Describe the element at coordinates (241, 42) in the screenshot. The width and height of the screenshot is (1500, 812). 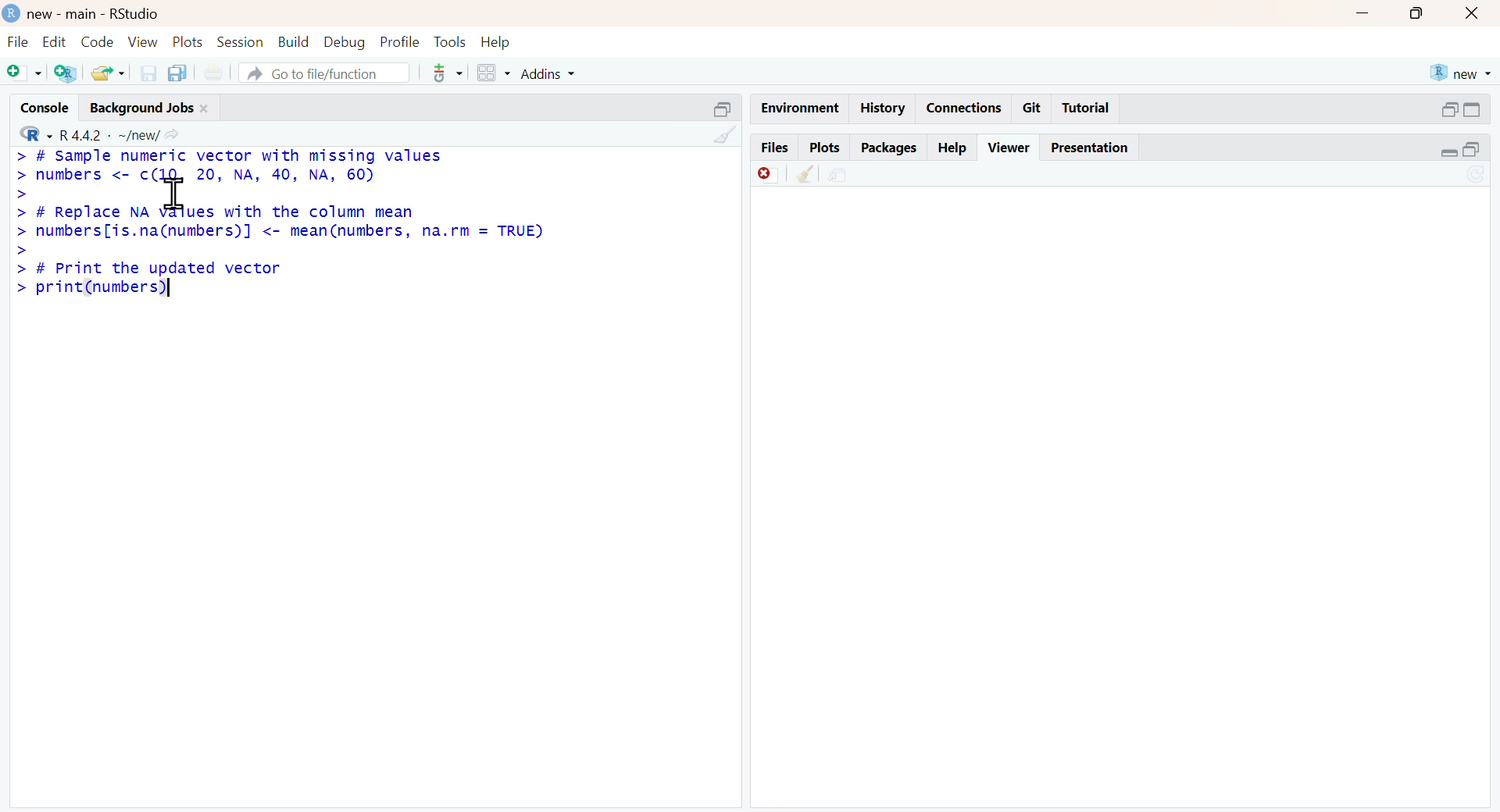
I see `session` at that location.